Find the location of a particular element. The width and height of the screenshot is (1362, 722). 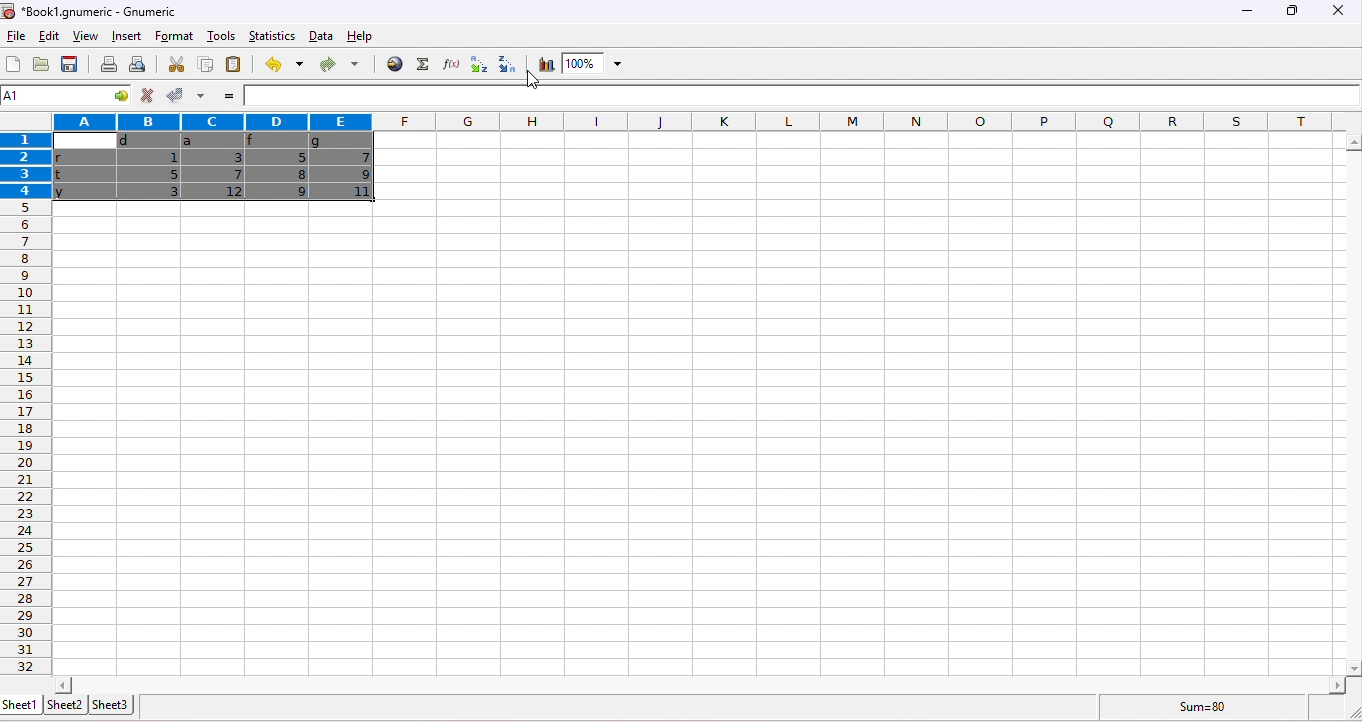

hyperlink is located at coordinates (392, 63).